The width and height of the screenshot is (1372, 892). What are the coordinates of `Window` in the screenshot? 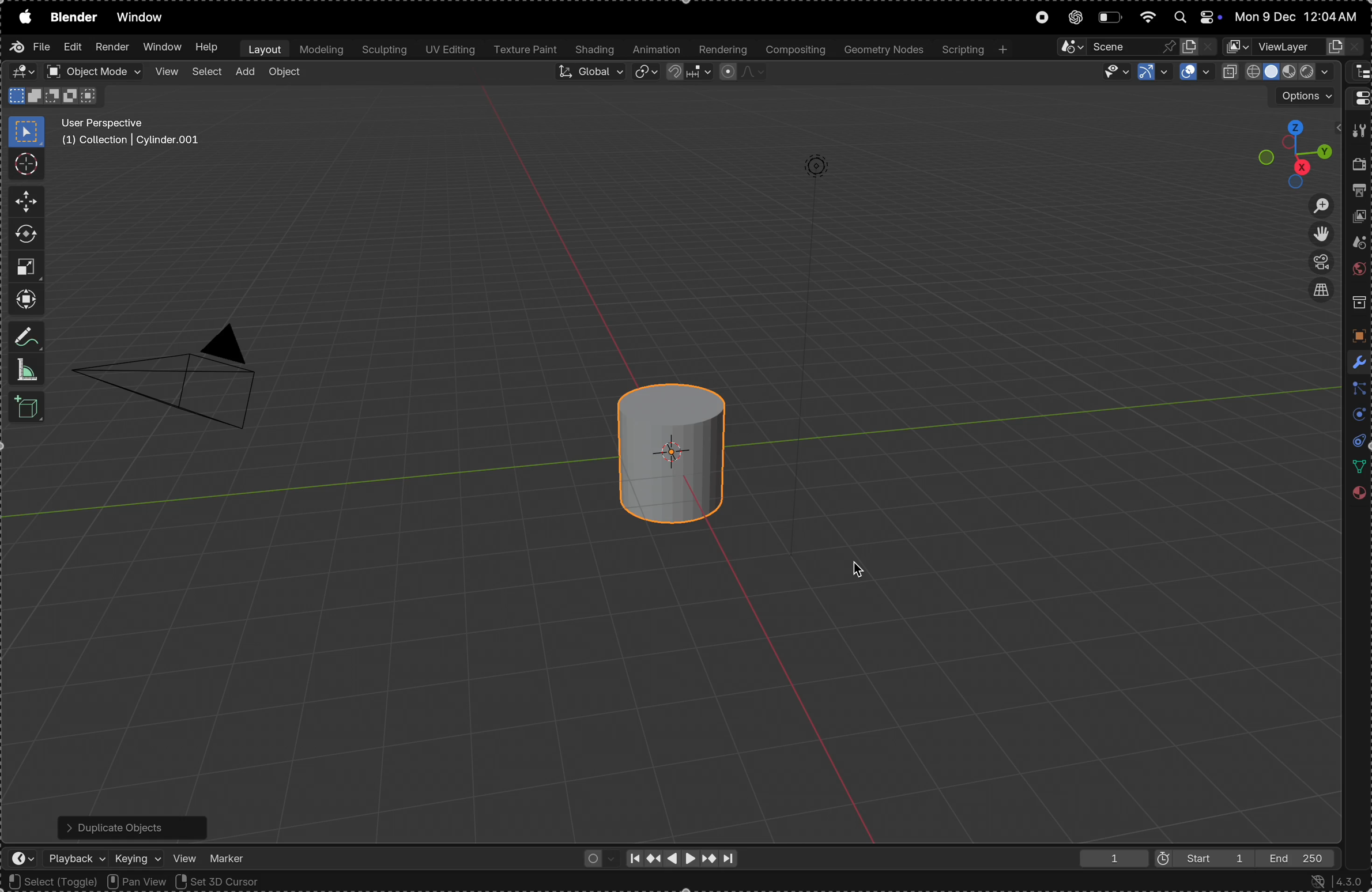 It's located at (161, 48).